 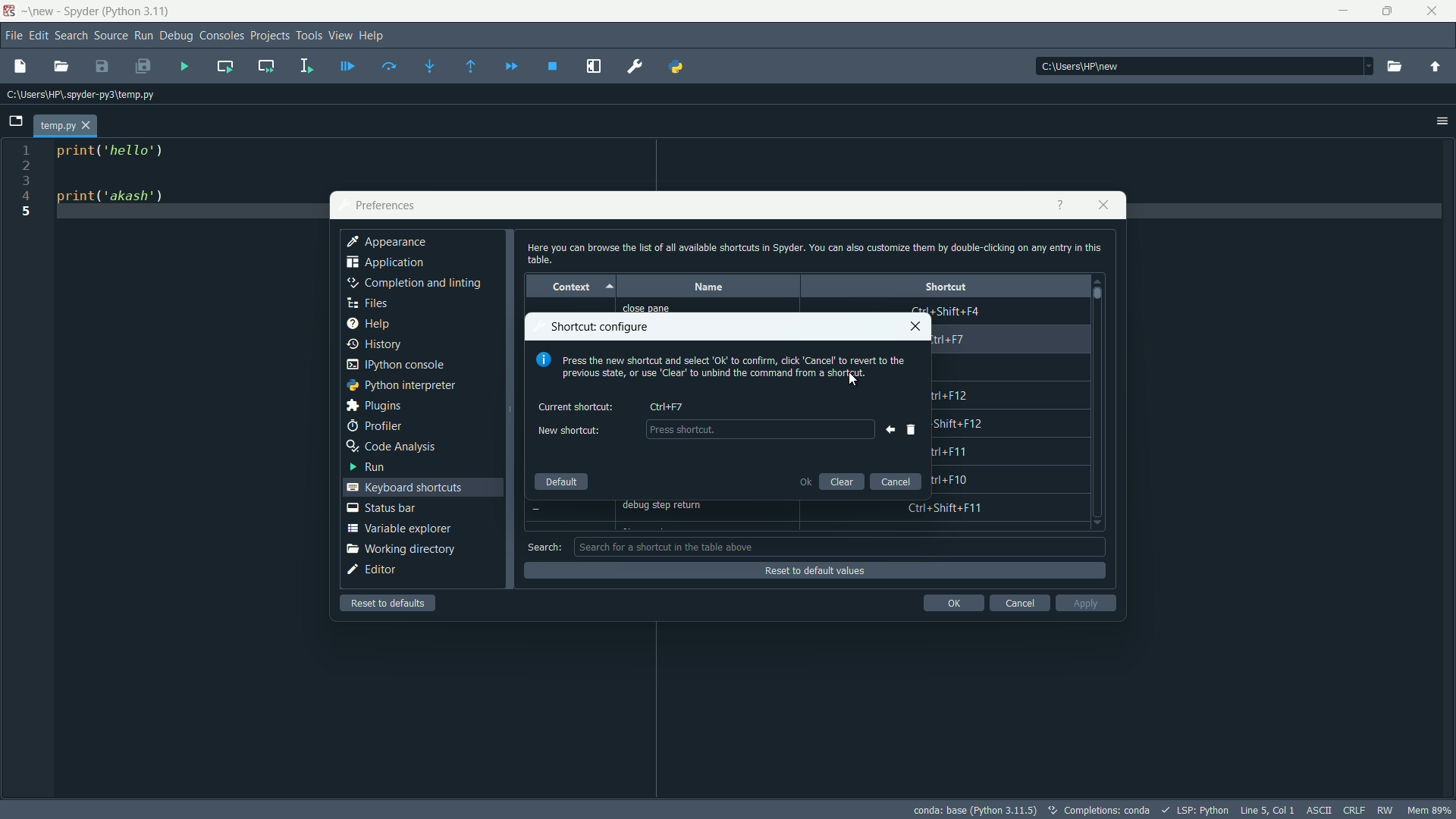 What do you see at coordinates (1059, 205) in the screenshot?
I see `get help` at bounding box center [1059, 205].